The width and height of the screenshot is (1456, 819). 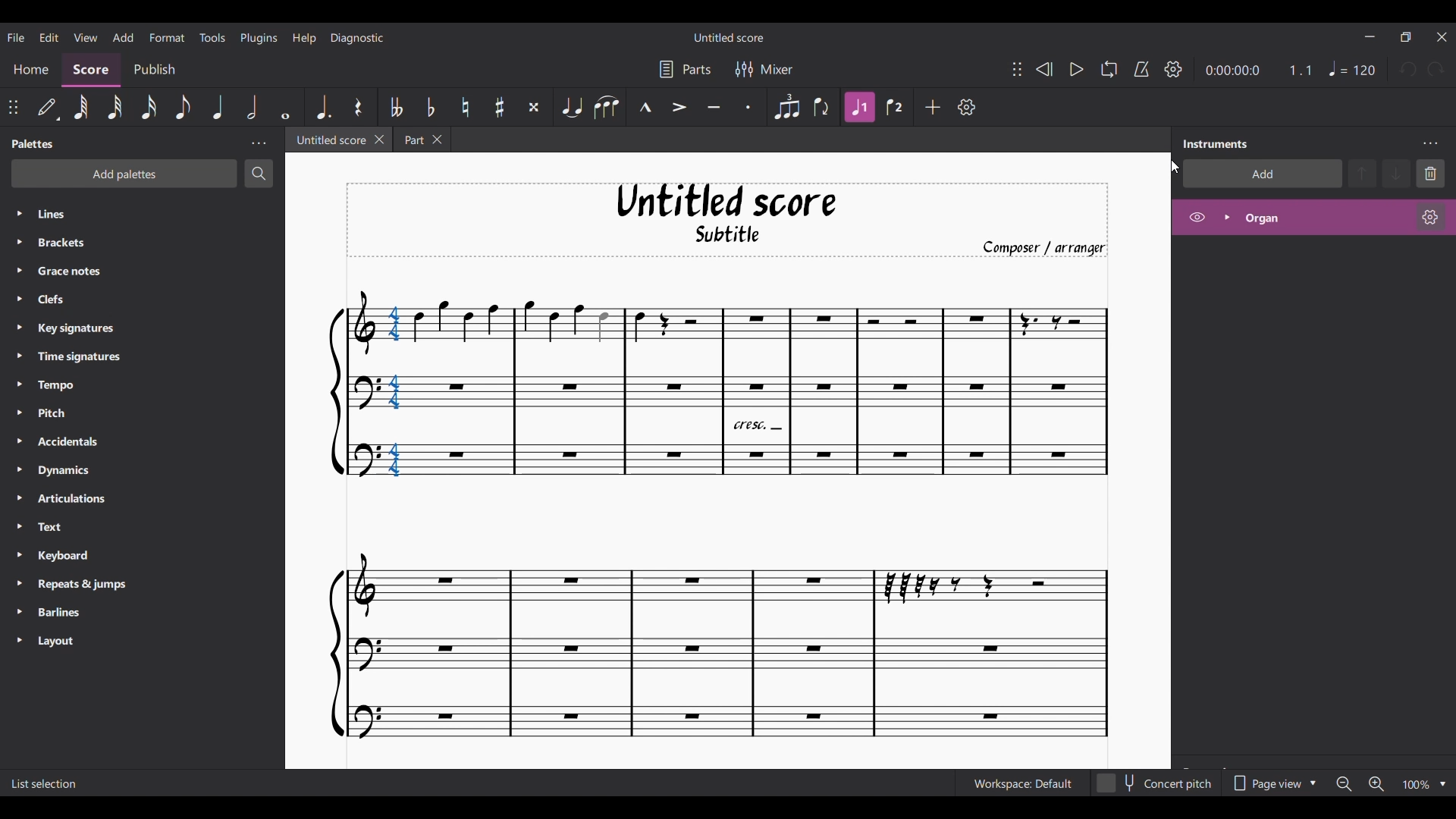 What do you see at coordinates (1141, 68) in the screenshot?
I see `Metronome` at bounding box center [1141, 68].